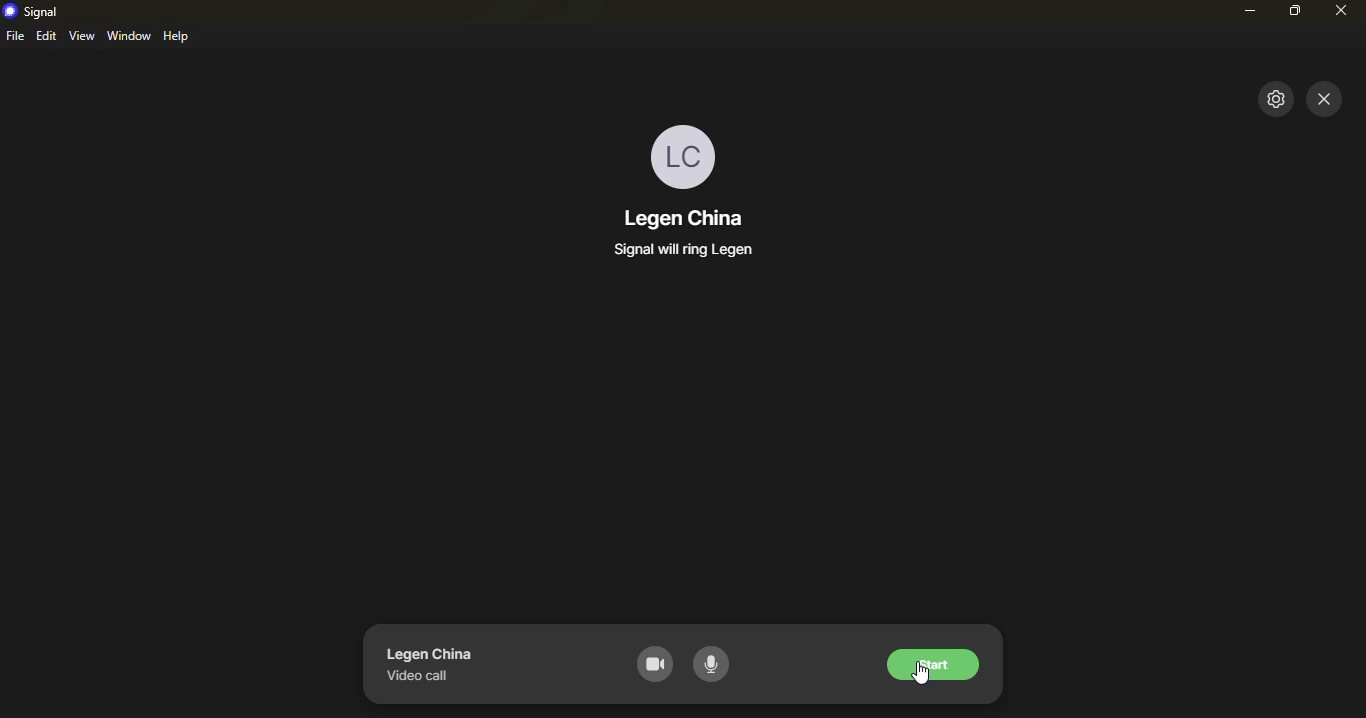 This screenshot has height=718, width=1366. I want to click on view, so click(80, 35).